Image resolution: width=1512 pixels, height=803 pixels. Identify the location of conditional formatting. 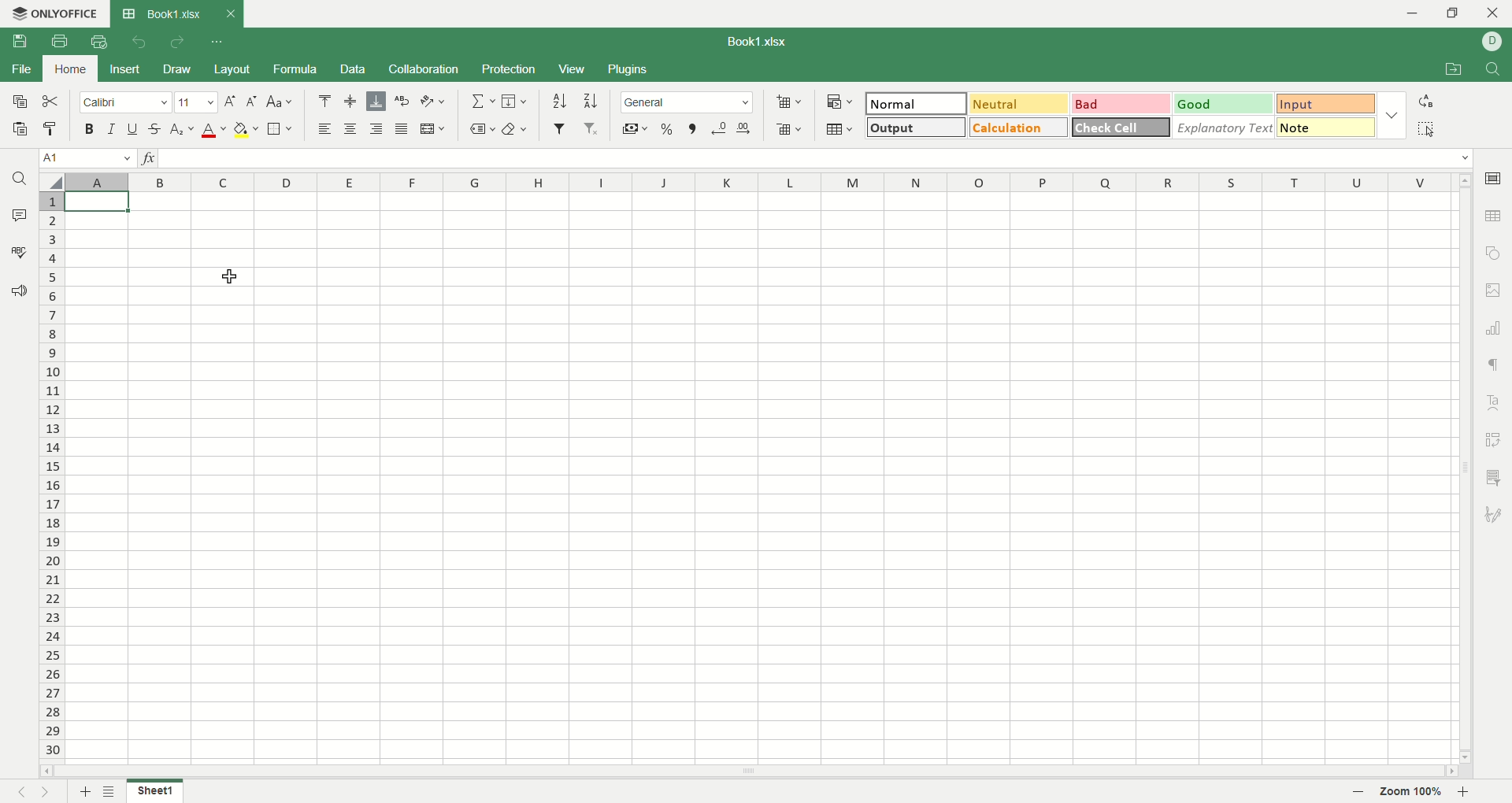
(837, 100).